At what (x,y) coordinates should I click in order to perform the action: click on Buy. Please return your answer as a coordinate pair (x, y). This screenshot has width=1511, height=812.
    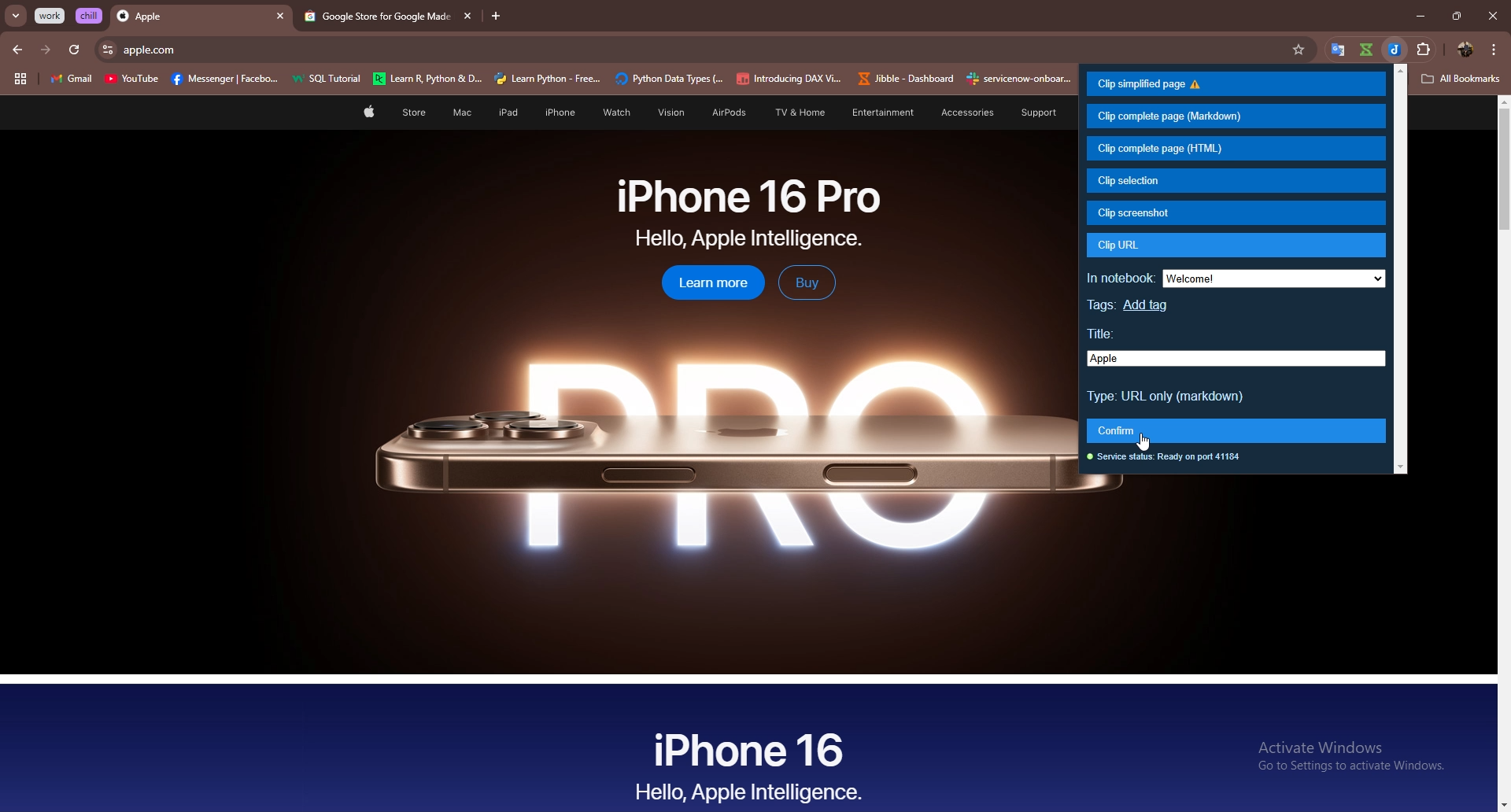
    Looking at the image, I should click on (807, 282).